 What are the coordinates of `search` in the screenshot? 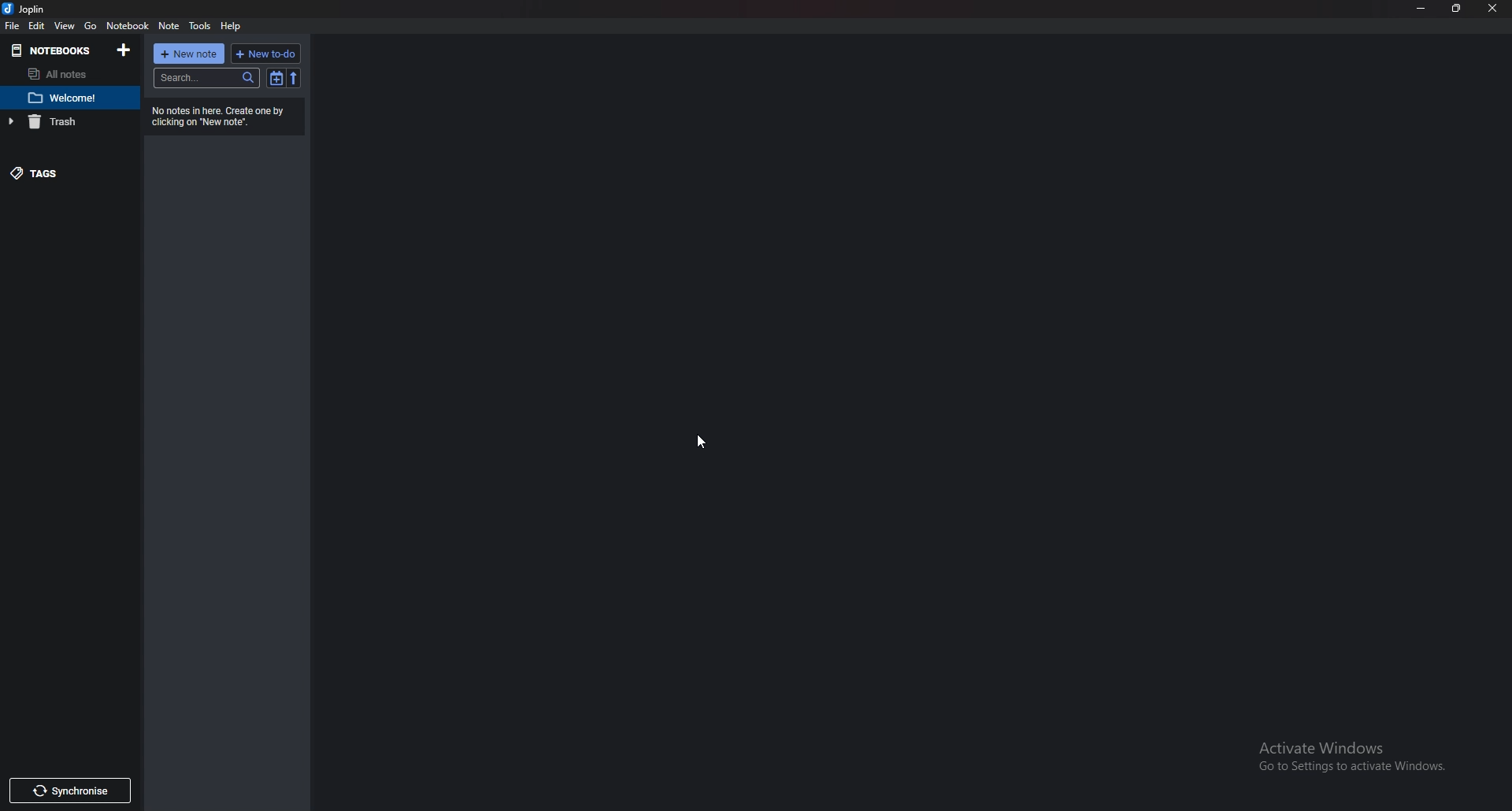 It's located at (206, 79).